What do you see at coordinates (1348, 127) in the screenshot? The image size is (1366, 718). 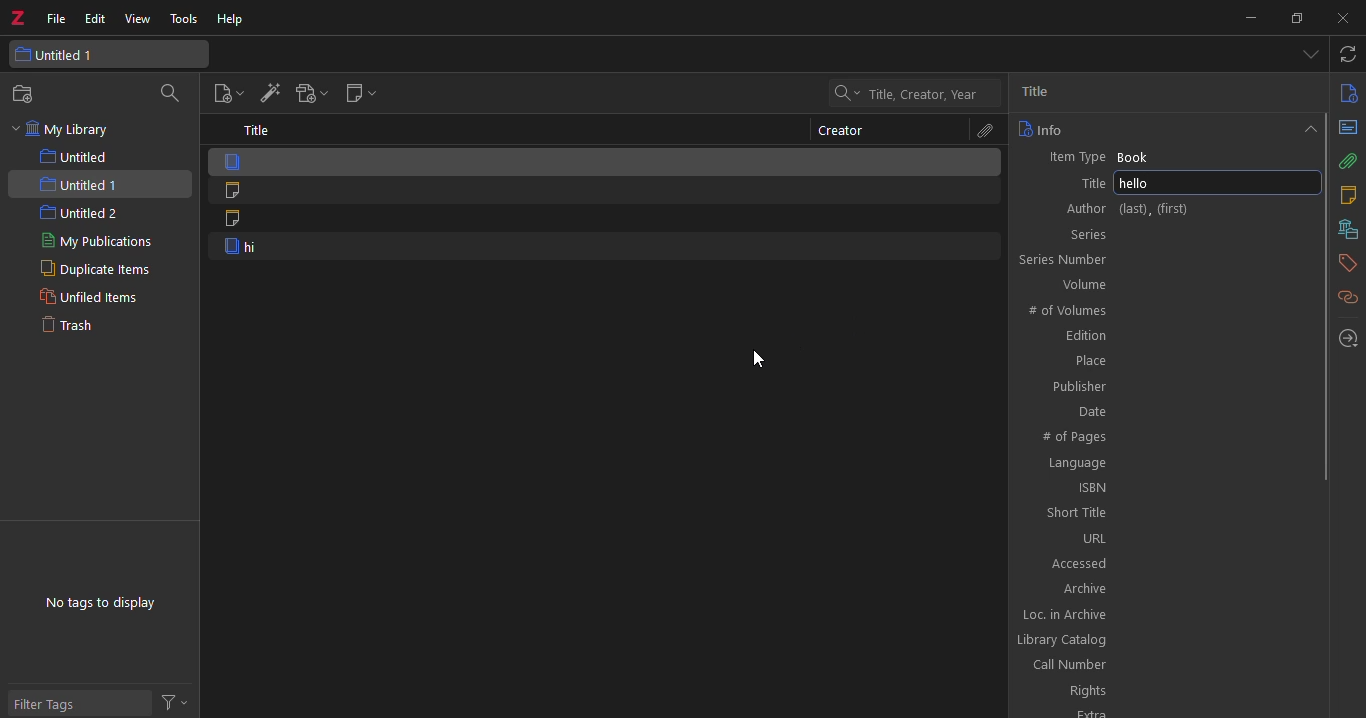 I see `abstract` at bounding box center [1348, 127].